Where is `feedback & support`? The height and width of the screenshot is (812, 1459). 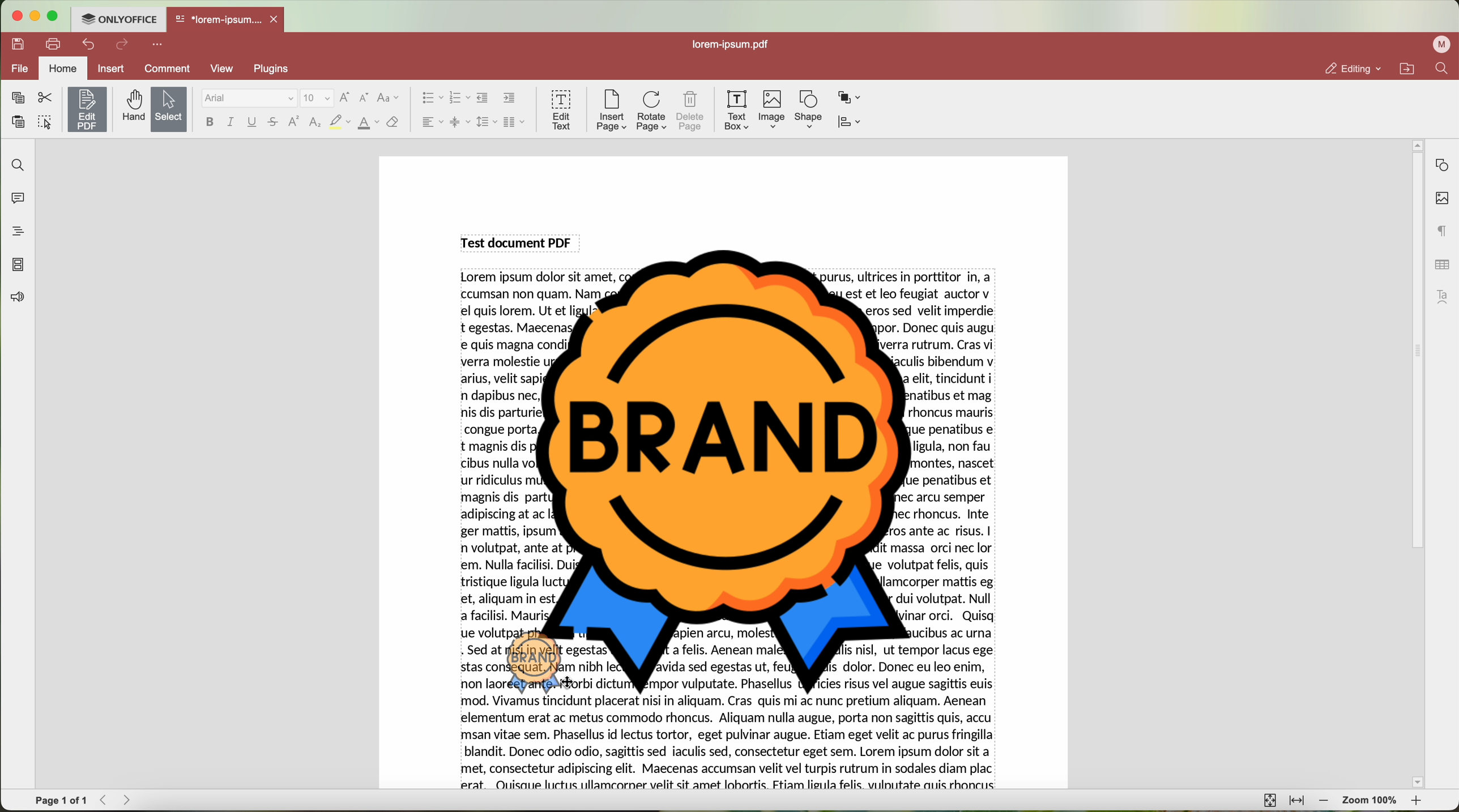
feedback & support is located at coordinates (16, 299).